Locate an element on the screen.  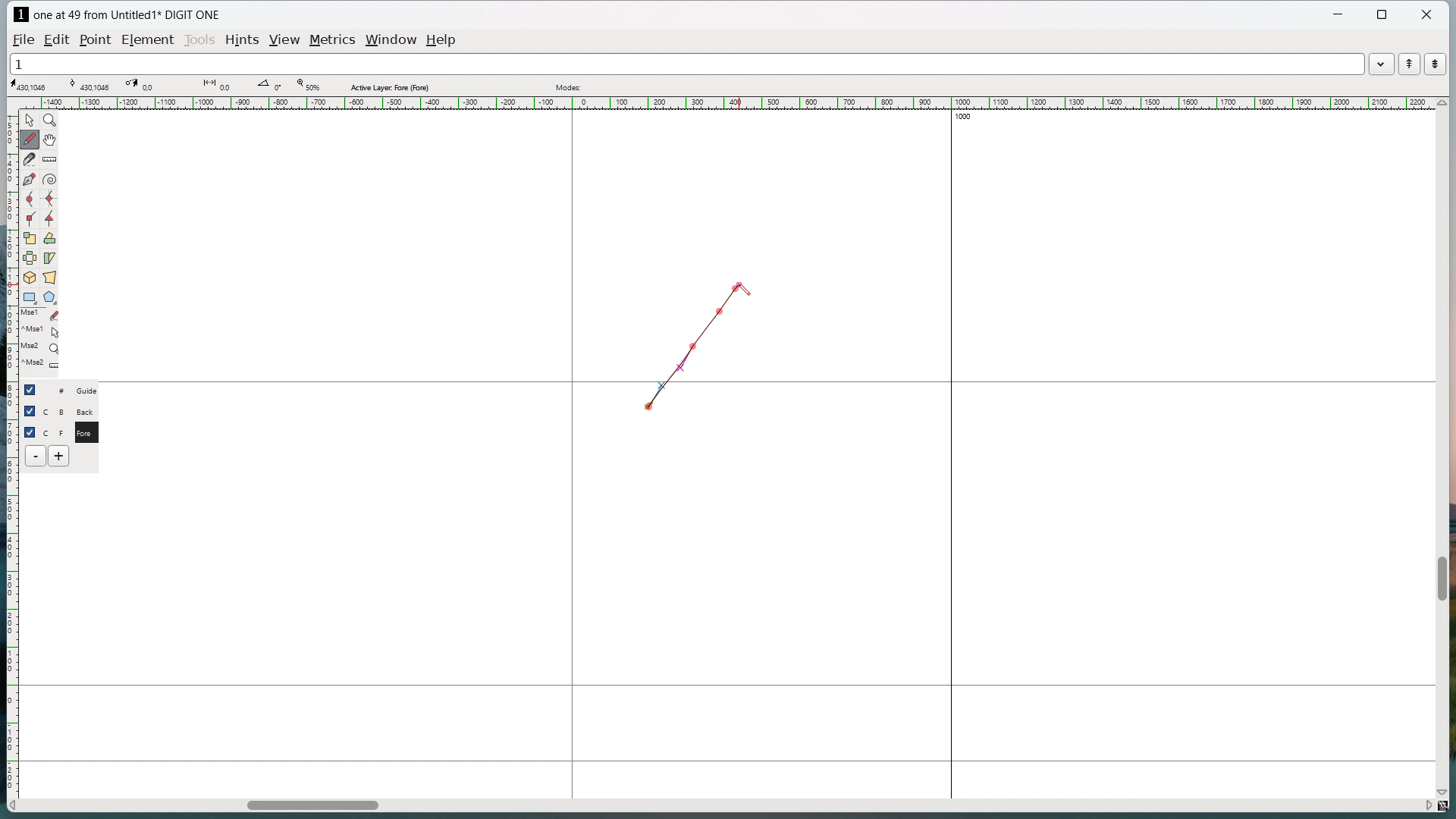
window is located at coordinates (393, 39).